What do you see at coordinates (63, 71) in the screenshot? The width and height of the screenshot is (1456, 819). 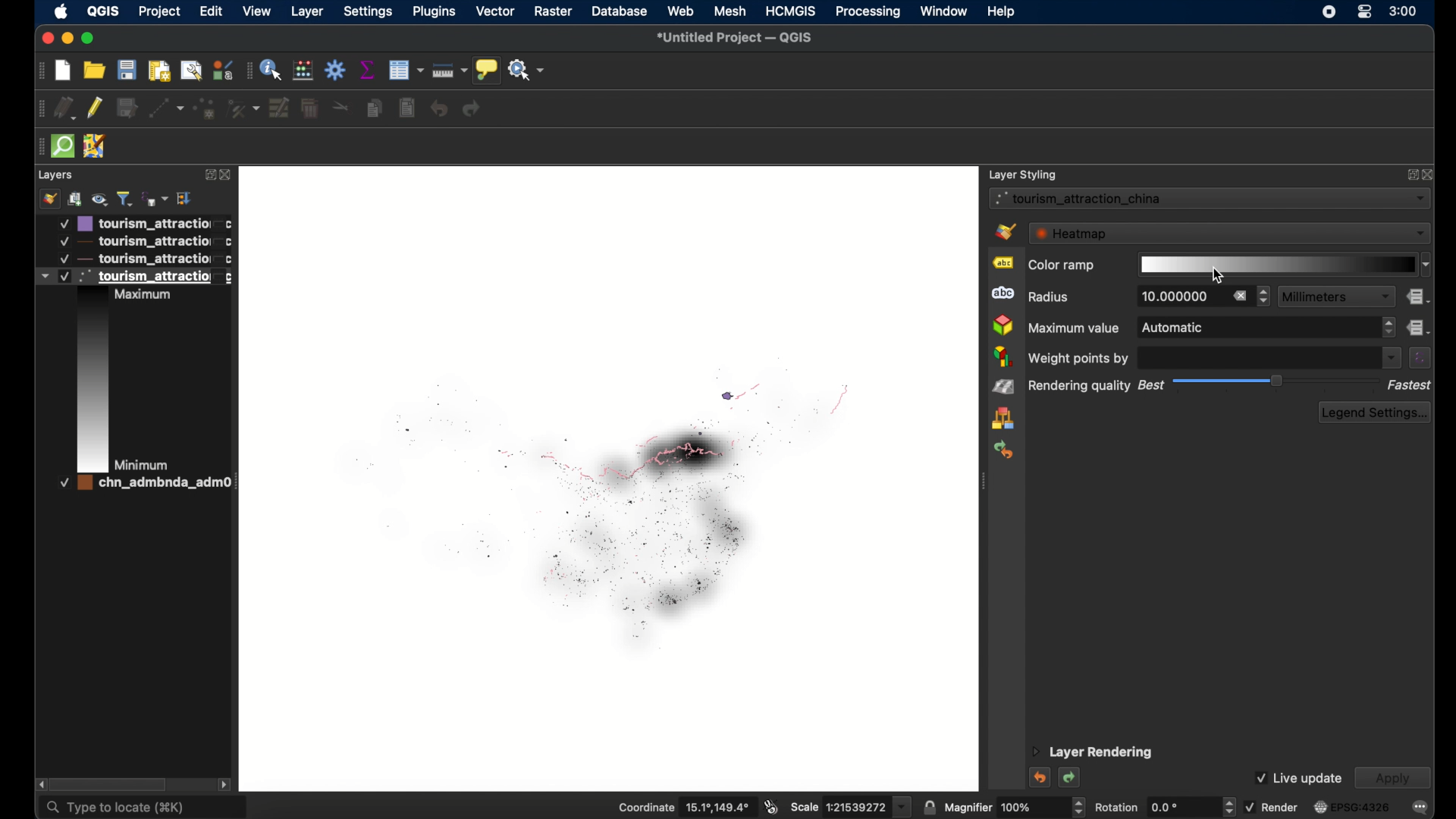 I see `new project` at bounding box center [63, 71].